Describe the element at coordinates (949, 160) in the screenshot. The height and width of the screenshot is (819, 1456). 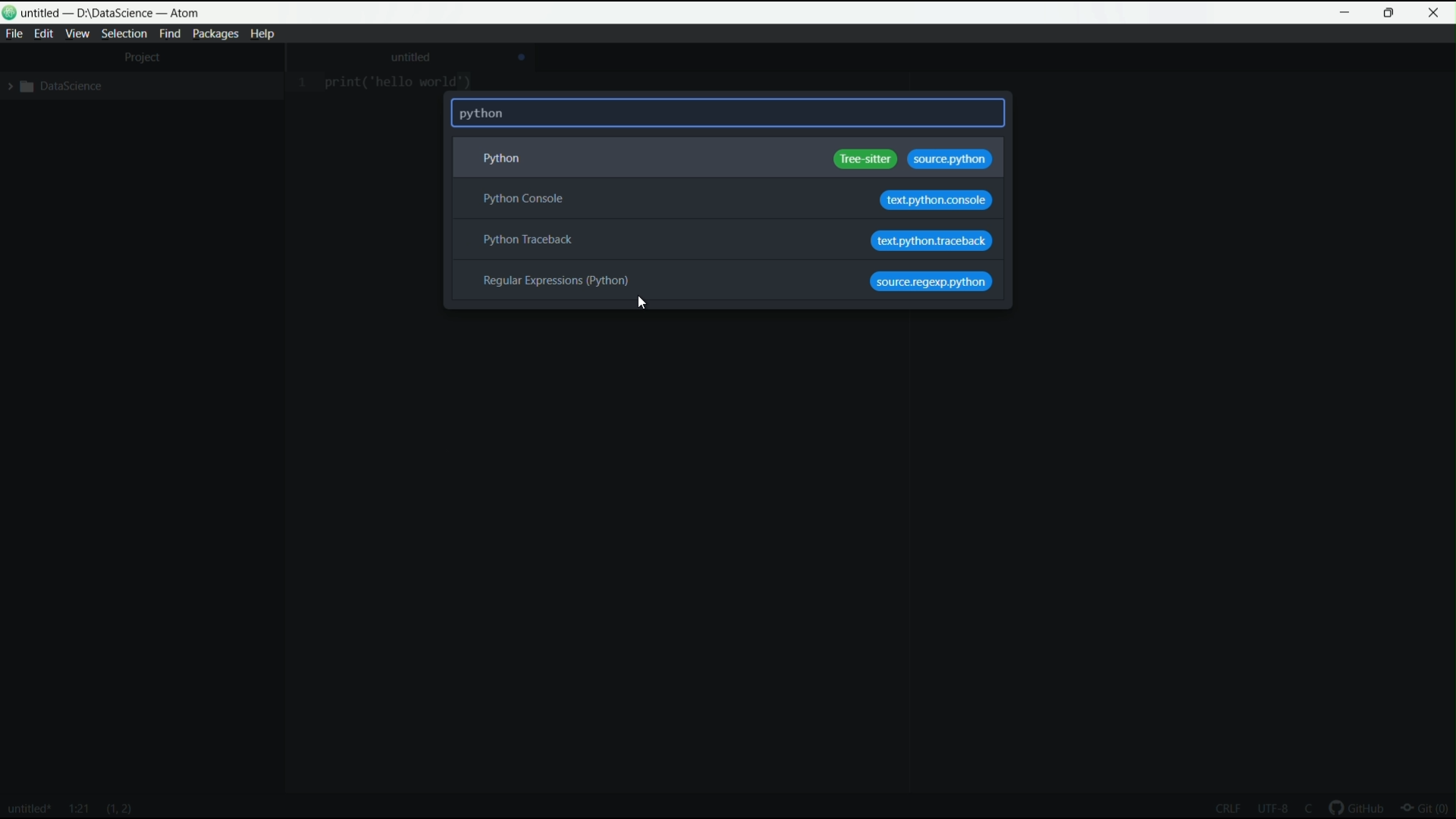
I see `source.python` at that location.